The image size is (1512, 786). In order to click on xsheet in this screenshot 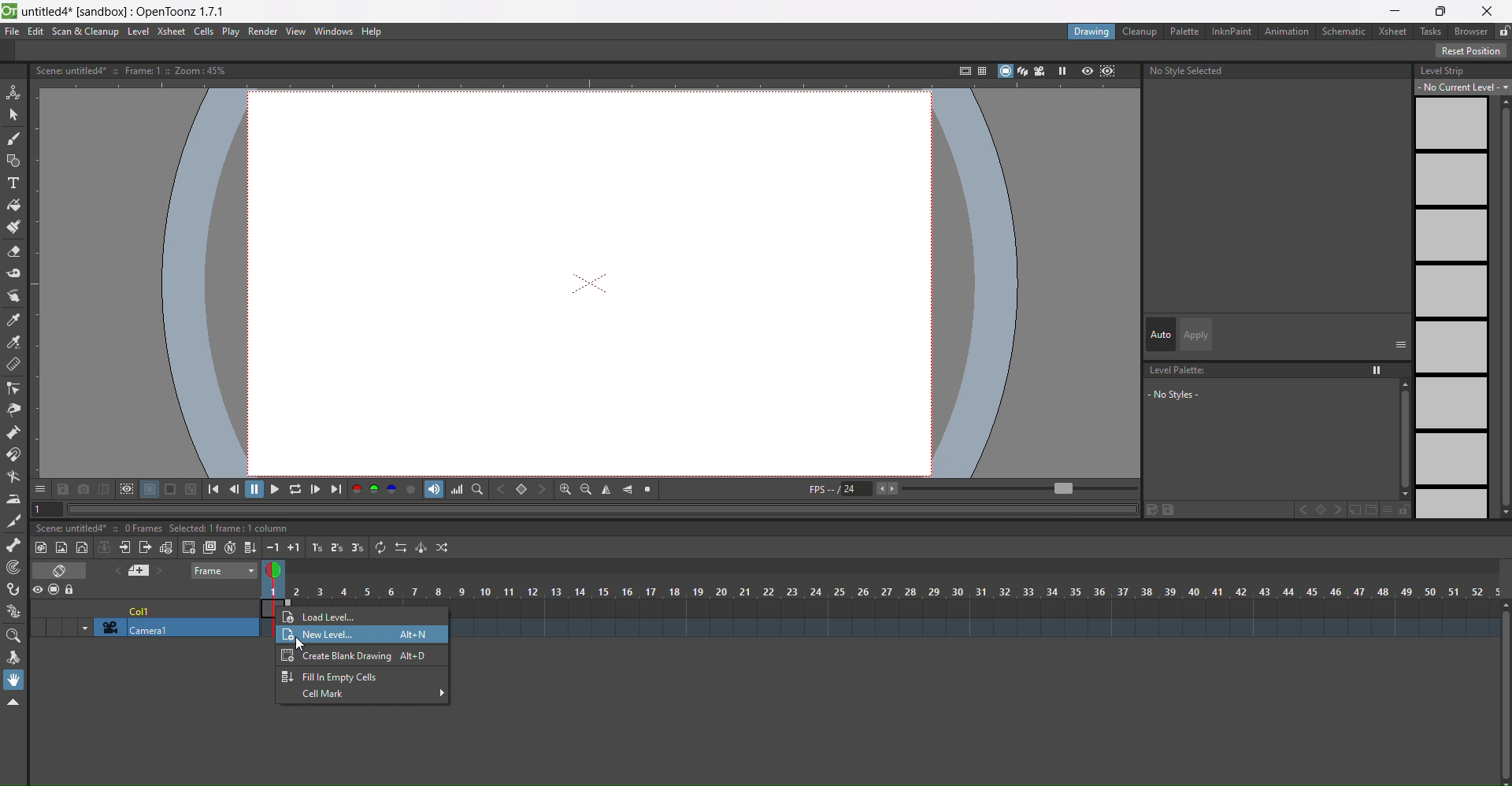, I will do `click(172, 32)`.